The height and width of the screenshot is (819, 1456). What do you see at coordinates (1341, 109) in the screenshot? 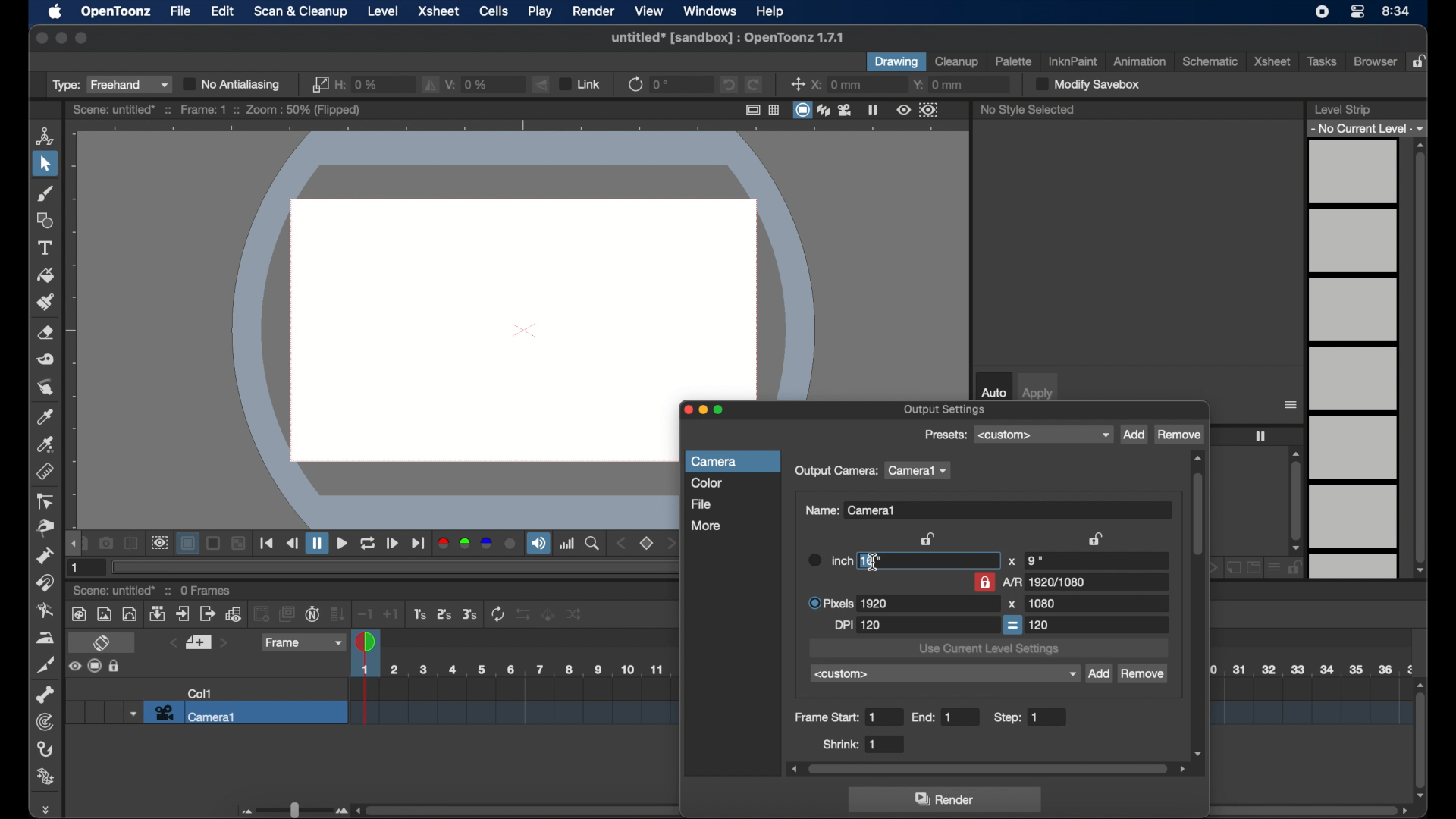
I see `level strip` at bounding box center [1341, 109].